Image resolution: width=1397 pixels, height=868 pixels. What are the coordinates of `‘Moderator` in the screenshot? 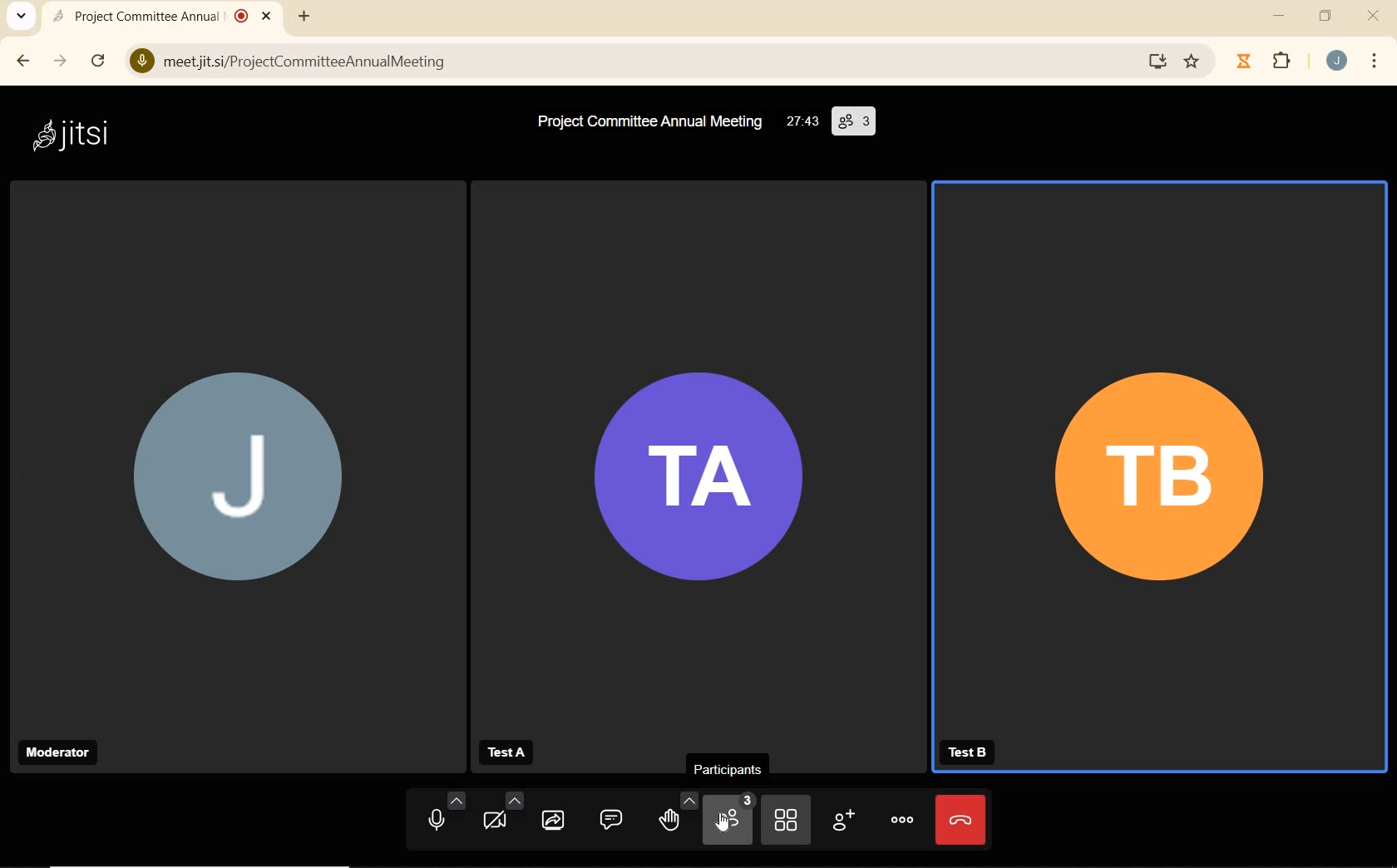 It's located at (58, 753).